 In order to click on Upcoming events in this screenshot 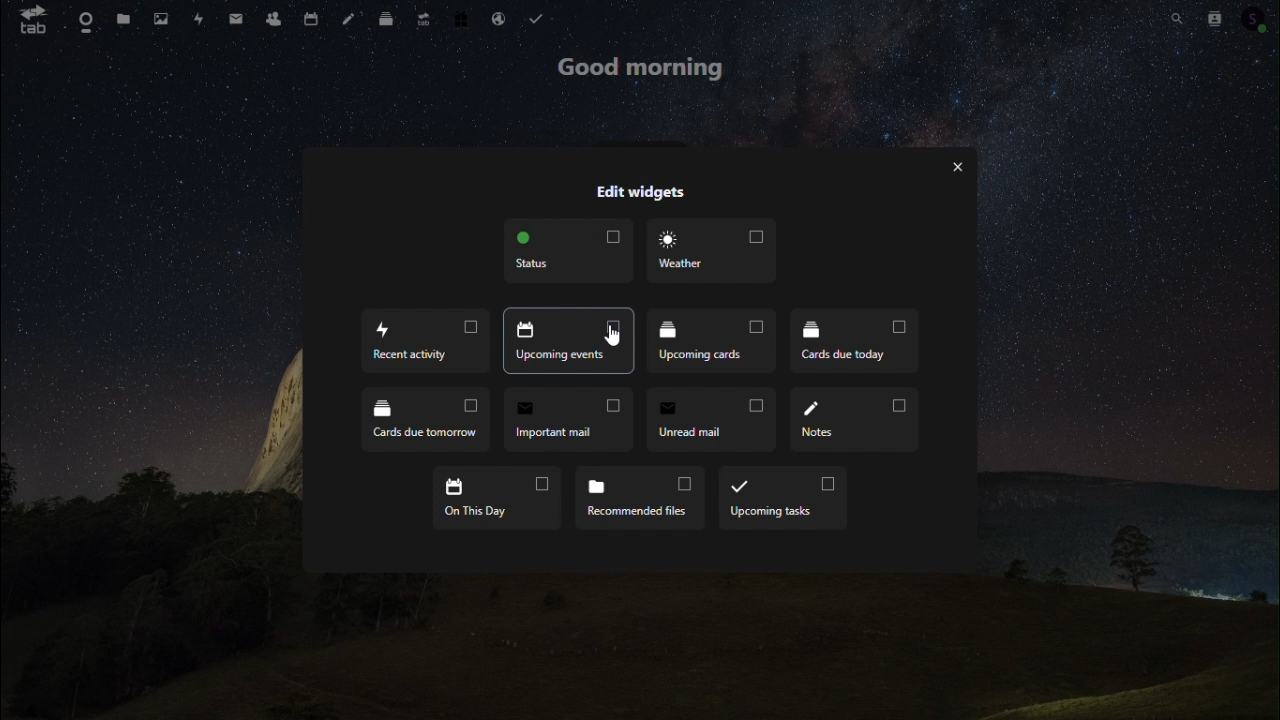, I will do `click(568, 340)`.